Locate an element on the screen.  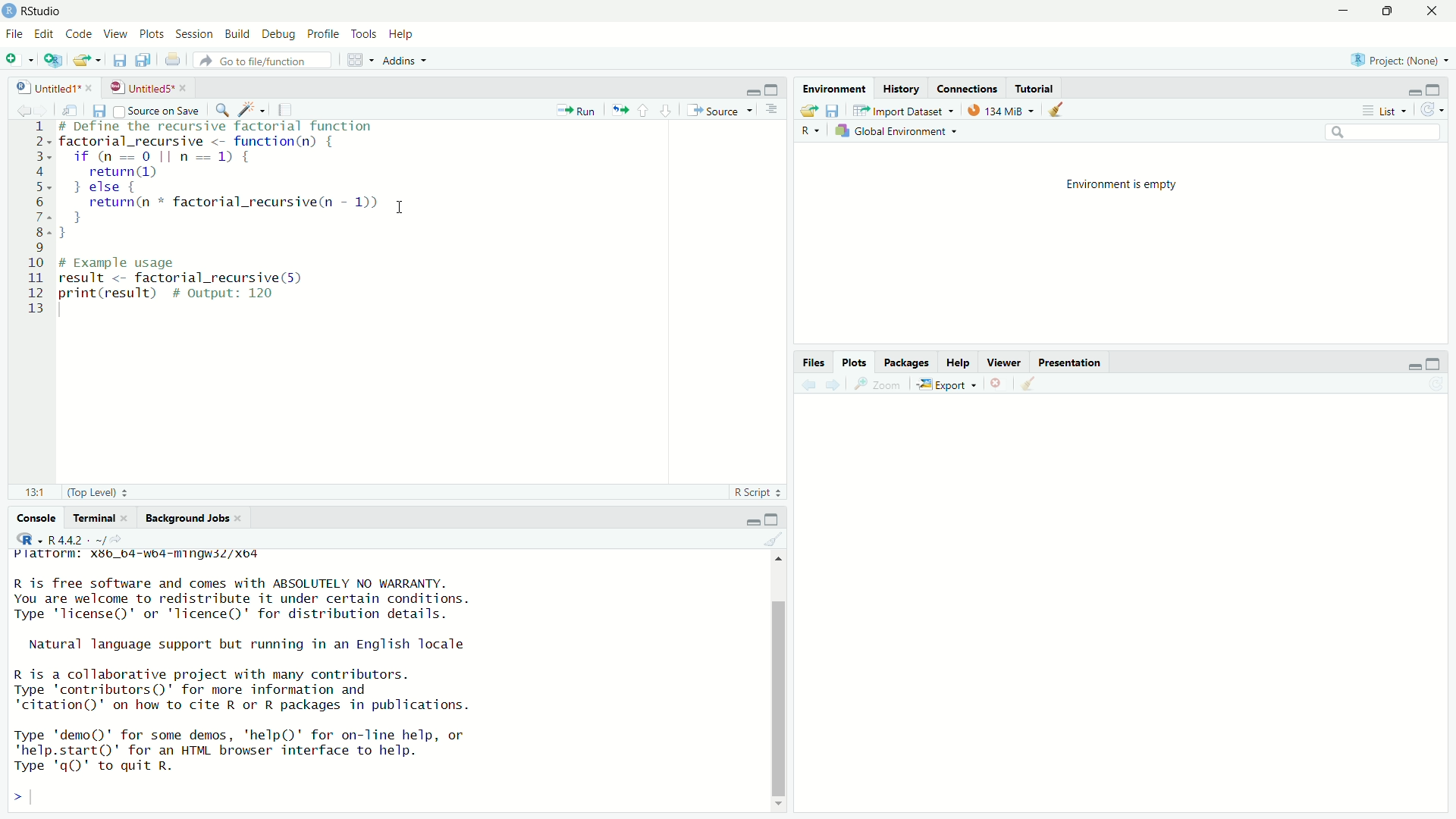
Background Jobs is located at coordinates (191, 517).